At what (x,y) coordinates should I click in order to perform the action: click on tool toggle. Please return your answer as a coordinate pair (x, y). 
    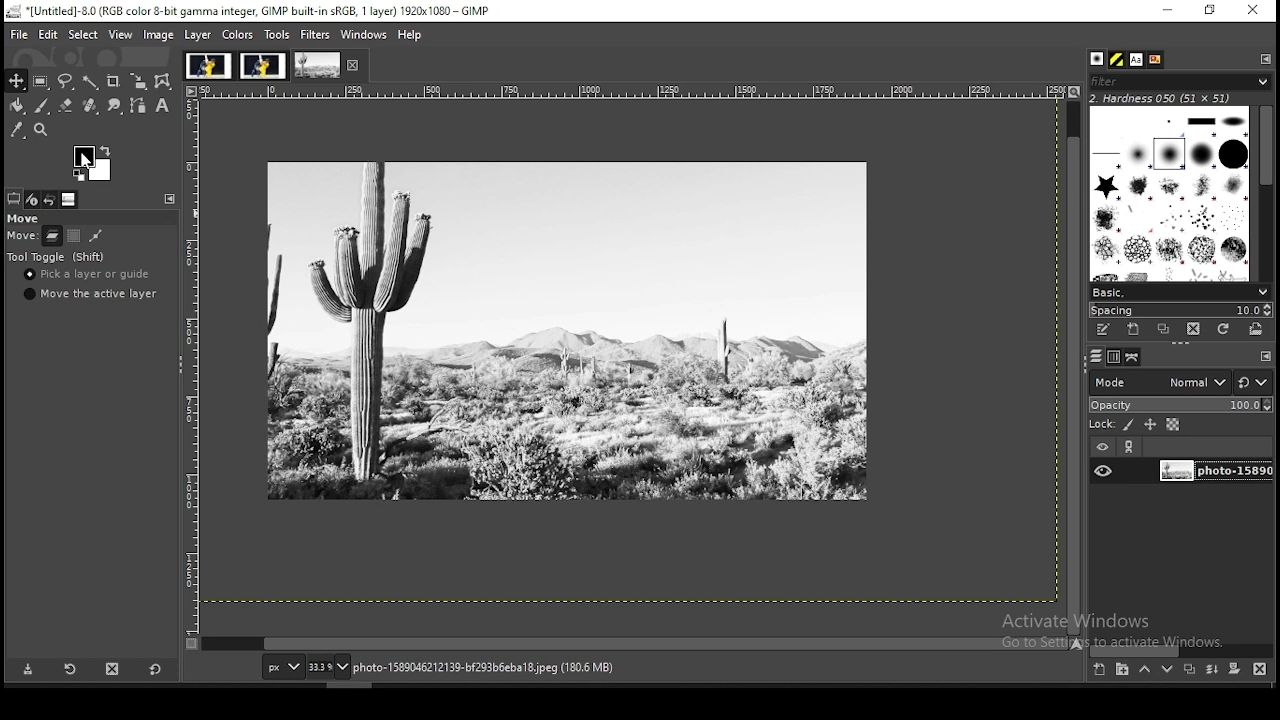
    Looking at the image, I should click on (57, 257).